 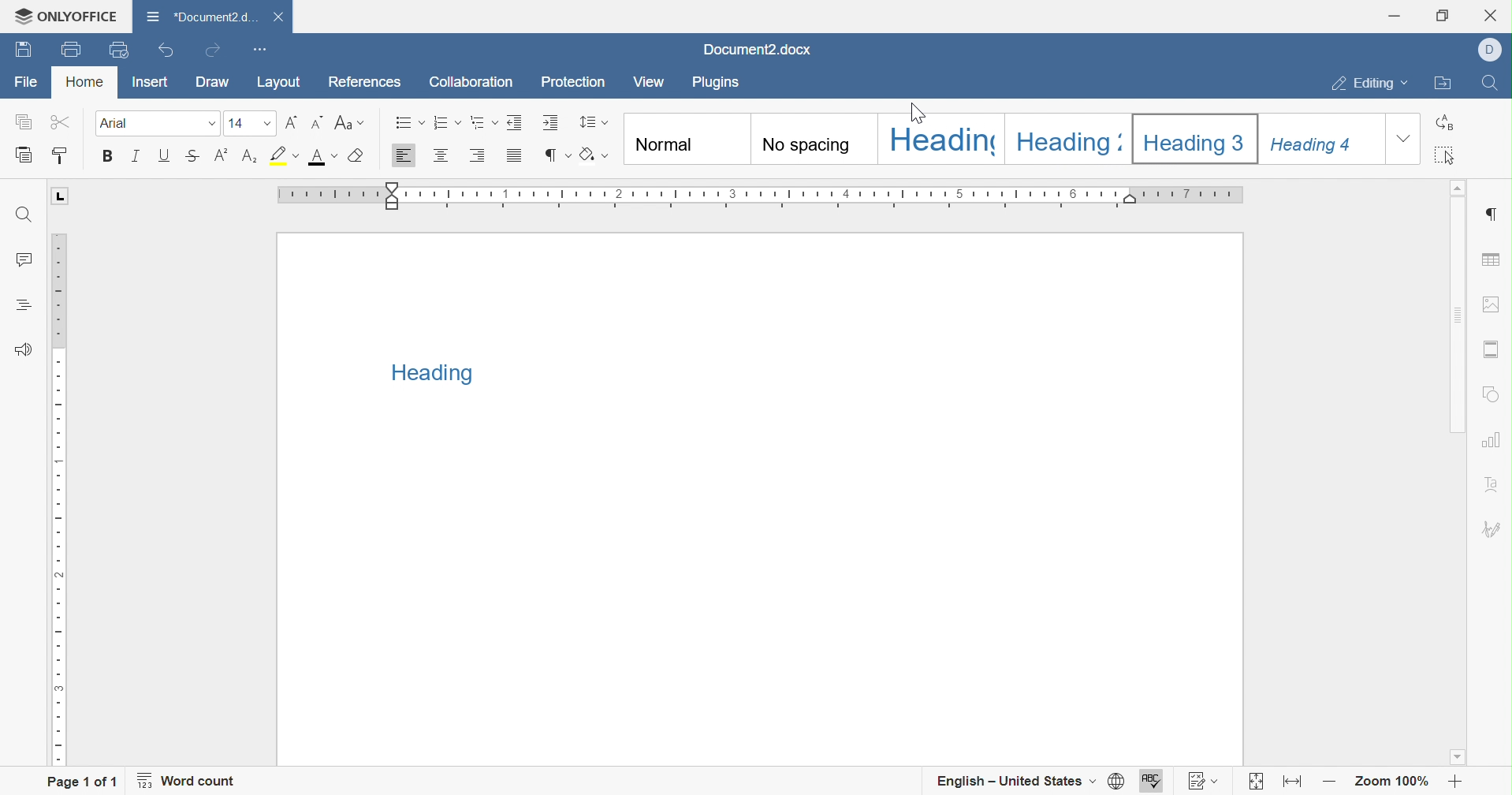 I want to click on Close, so click(x=1494, y=14).